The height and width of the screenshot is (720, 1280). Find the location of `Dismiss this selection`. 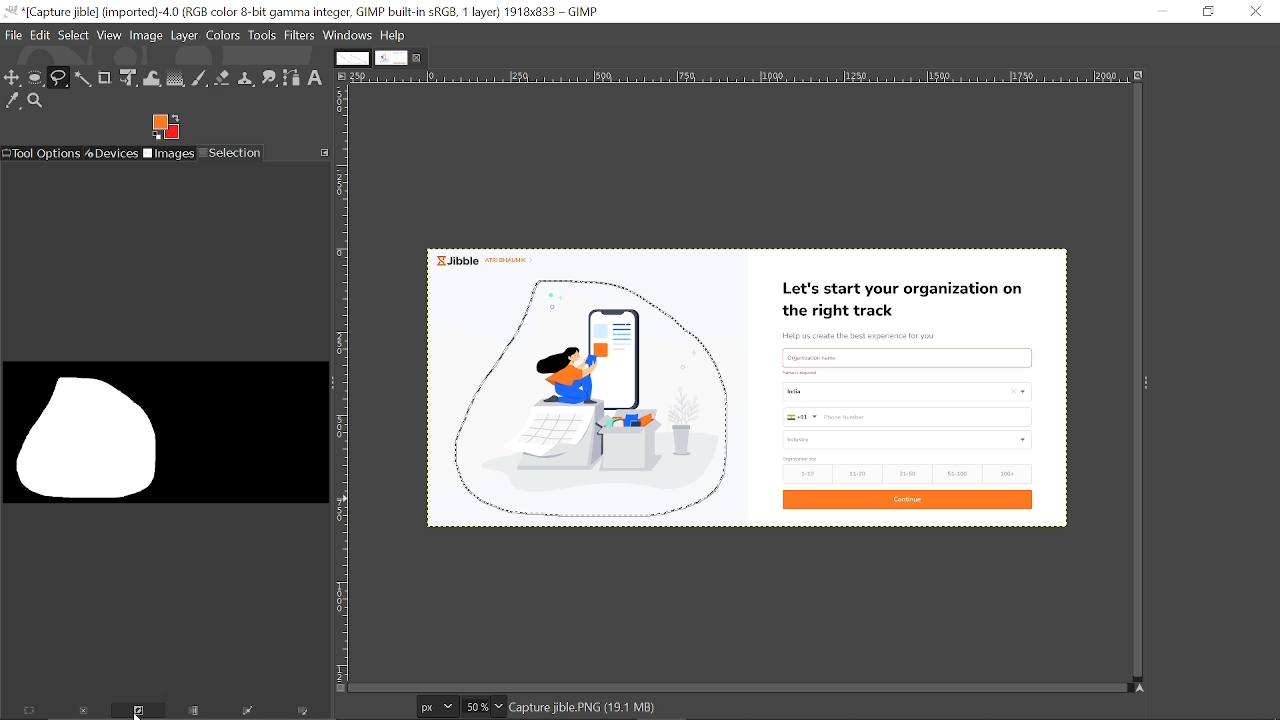

Dismiss this selection is located at coordinates (82, 713).